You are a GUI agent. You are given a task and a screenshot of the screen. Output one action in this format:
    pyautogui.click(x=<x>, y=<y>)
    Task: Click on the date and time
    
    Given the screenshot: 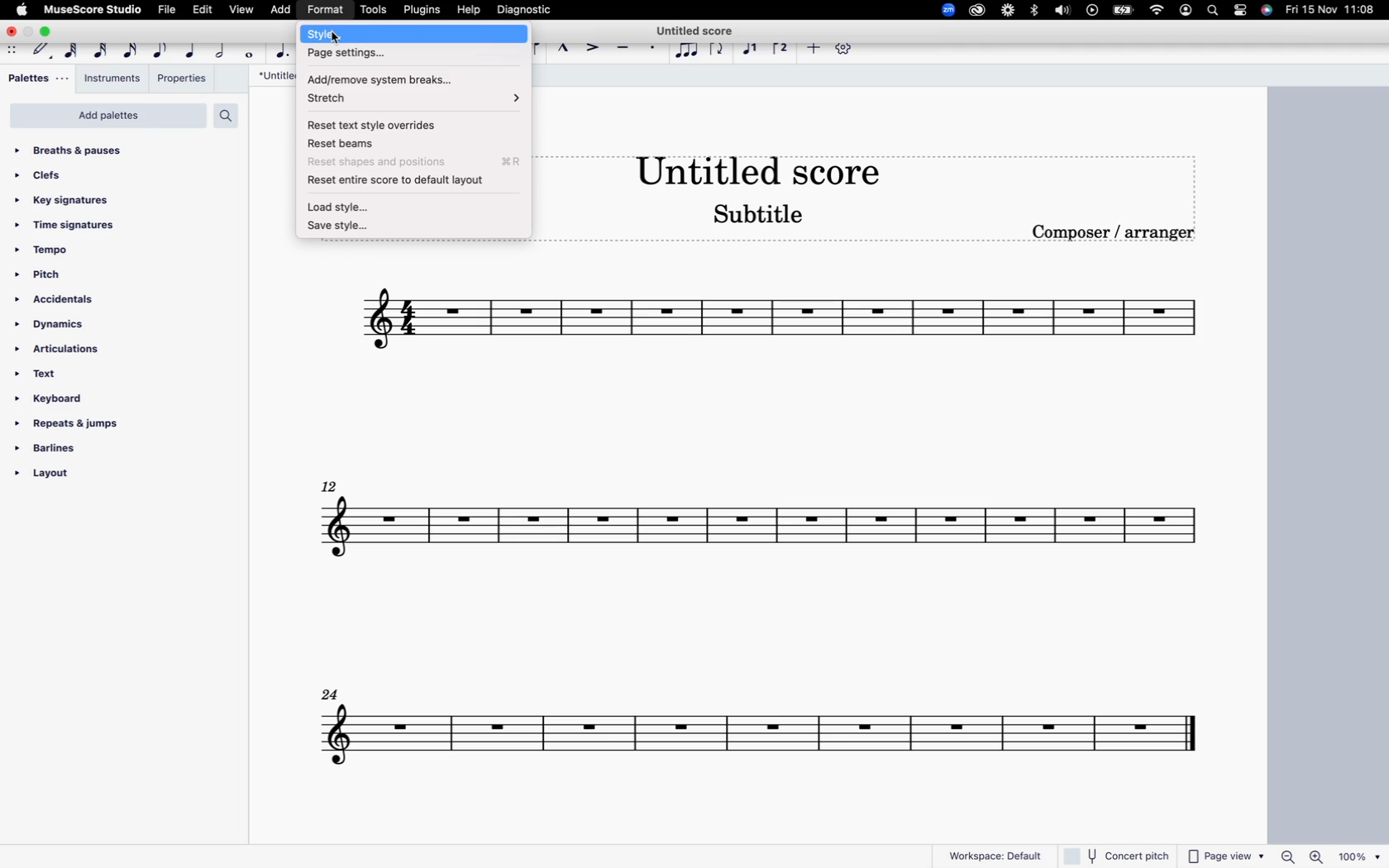 What is the action you would take?
    pyautogui.click(x=1333, y=9)
    